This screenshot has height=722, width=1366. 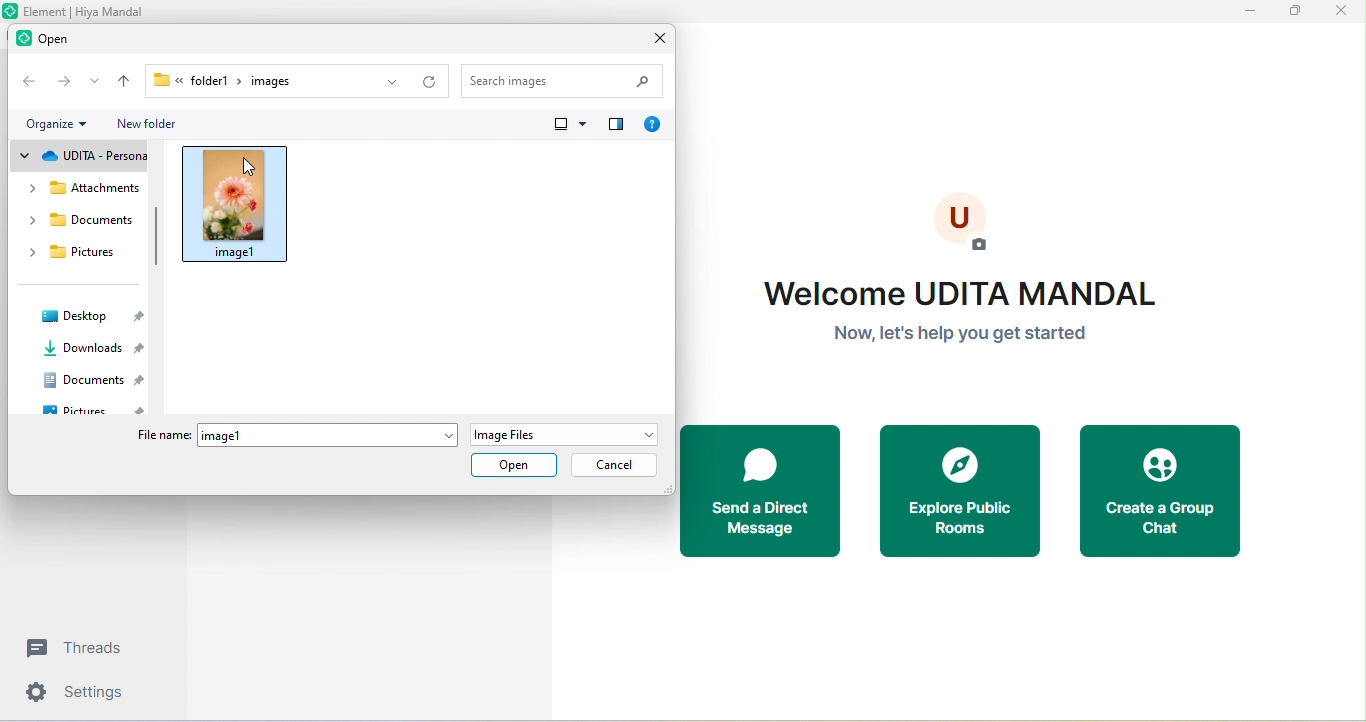 What do you see at coordinates (84, 155) in the screenshot?
I see `udita` at bounding box center [84, 155].